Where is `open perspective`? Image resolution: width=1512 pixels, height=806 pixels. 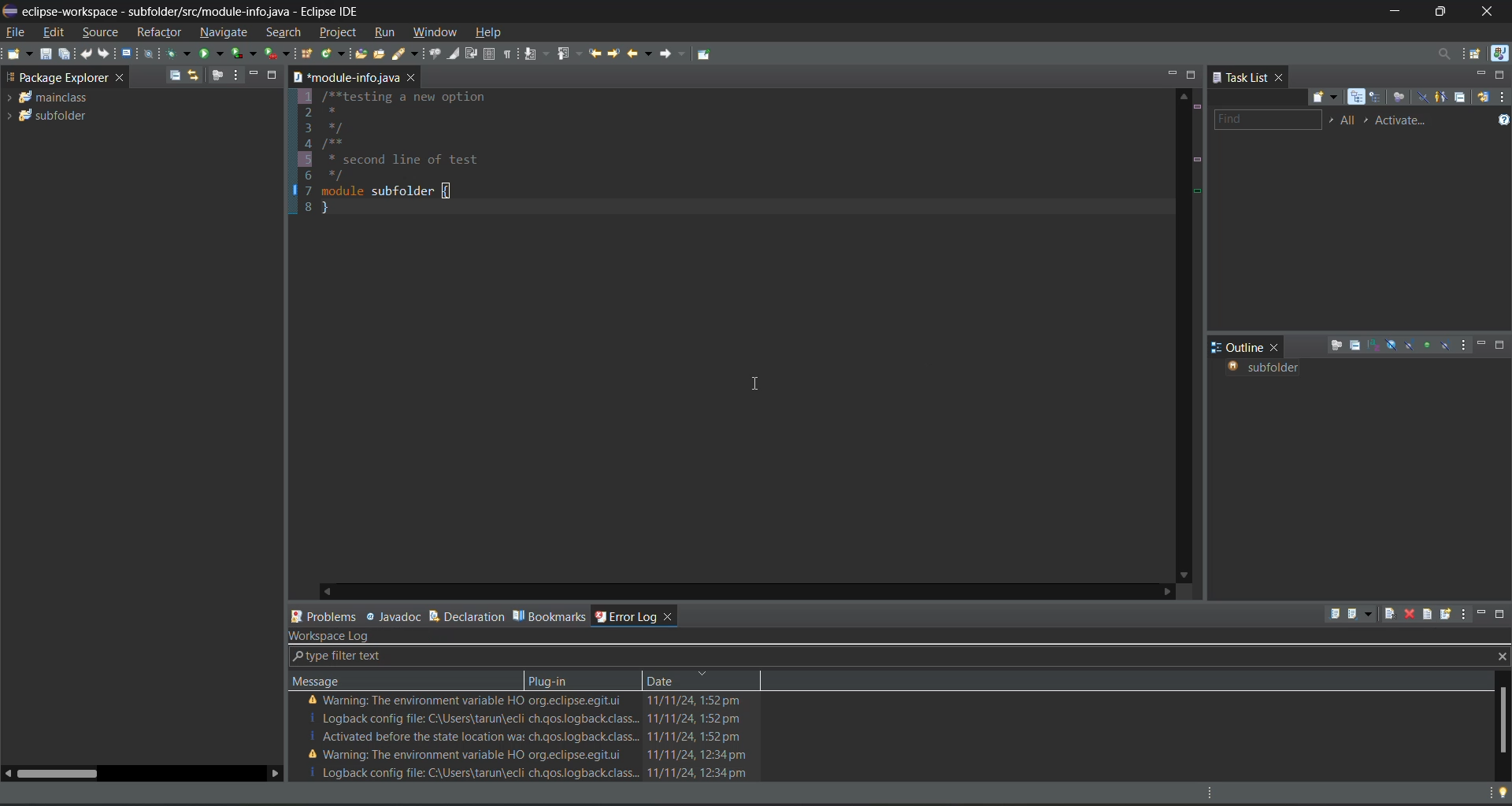 open perspective is located at coordinates (1477, 55).